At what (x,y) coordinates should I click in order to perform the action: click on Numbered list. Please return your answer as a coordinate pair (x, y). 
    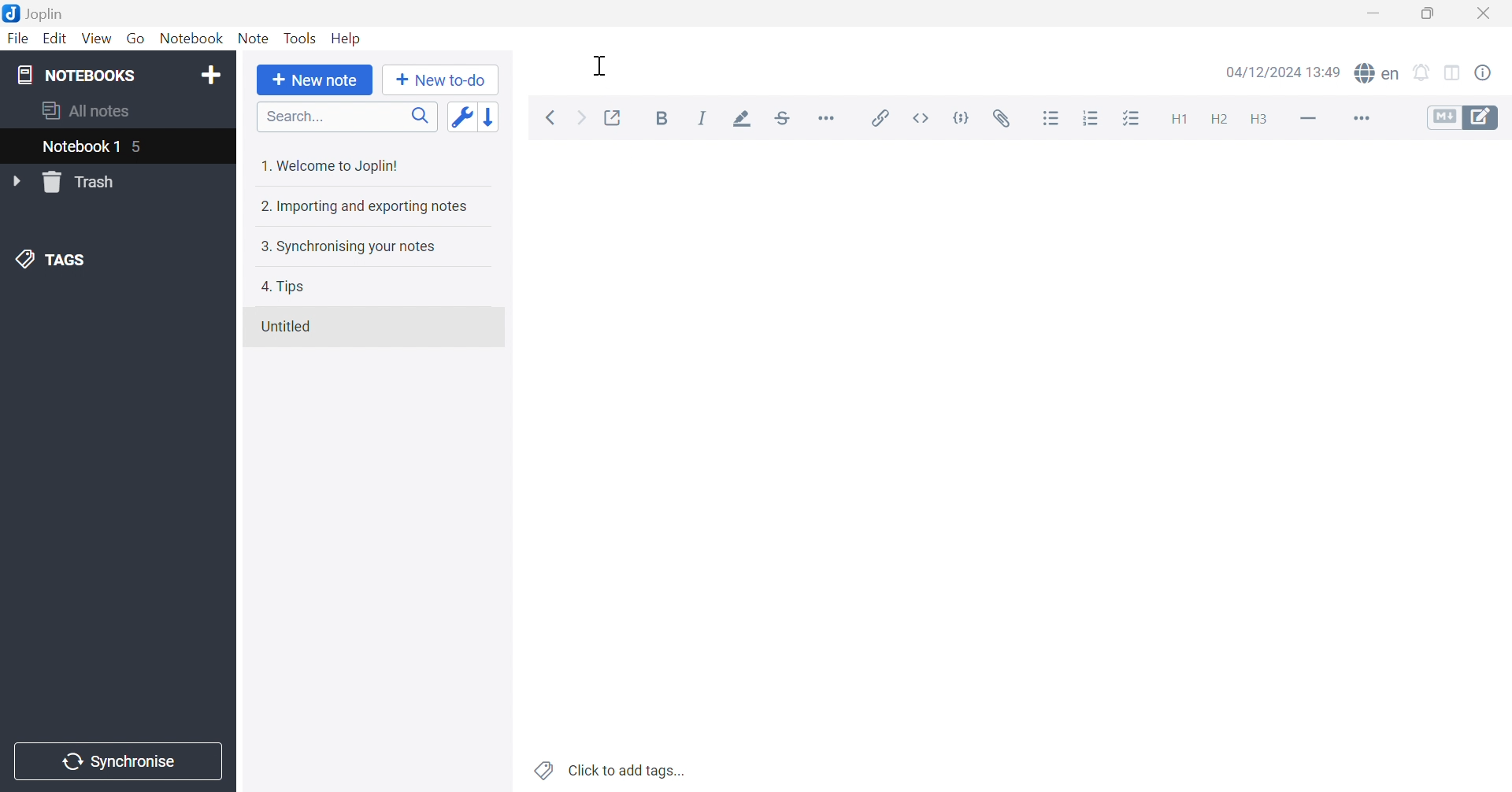
    Looking at the image, I should click on (1093, 117).